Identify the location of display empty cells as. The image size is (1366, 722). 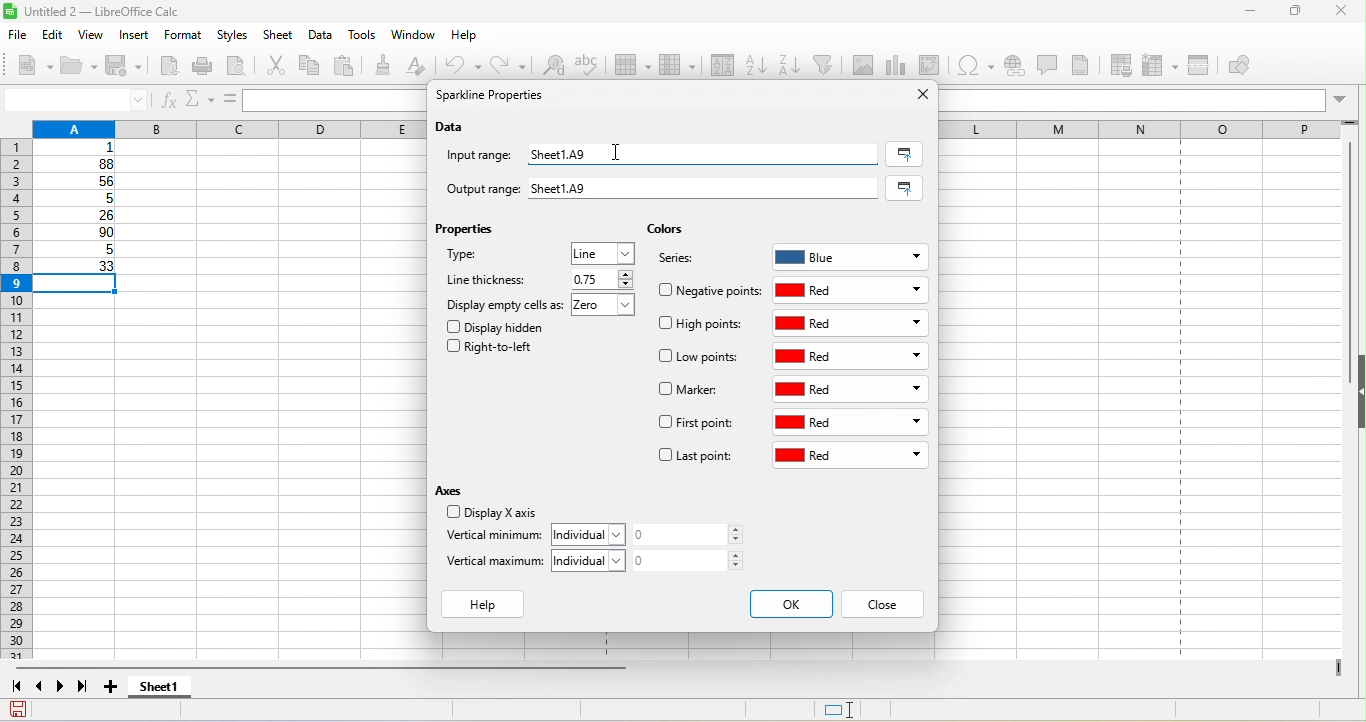
(505, 304).